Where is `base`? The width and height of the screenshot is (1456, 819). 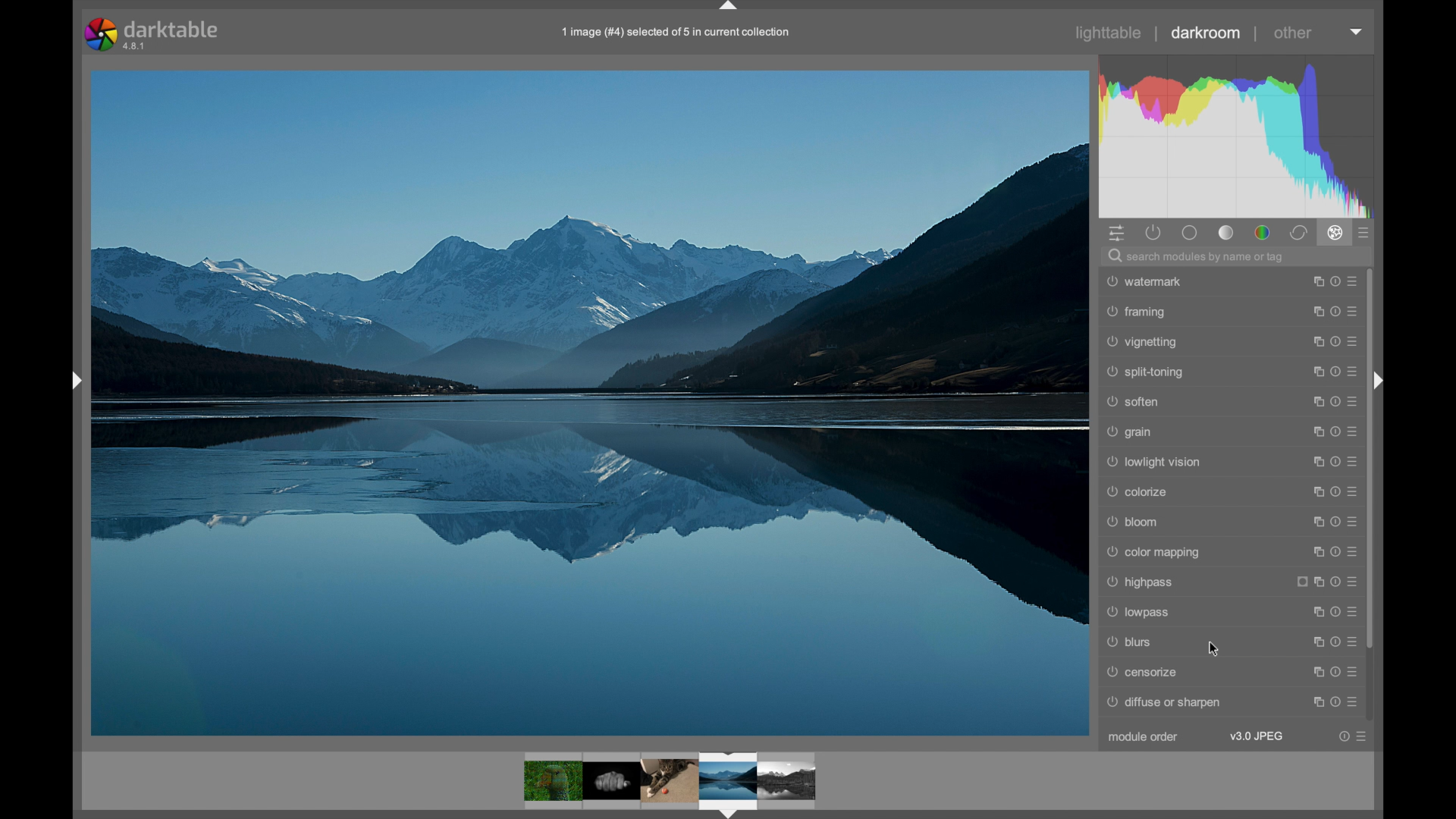
base is located at coordinates (1191, 232).